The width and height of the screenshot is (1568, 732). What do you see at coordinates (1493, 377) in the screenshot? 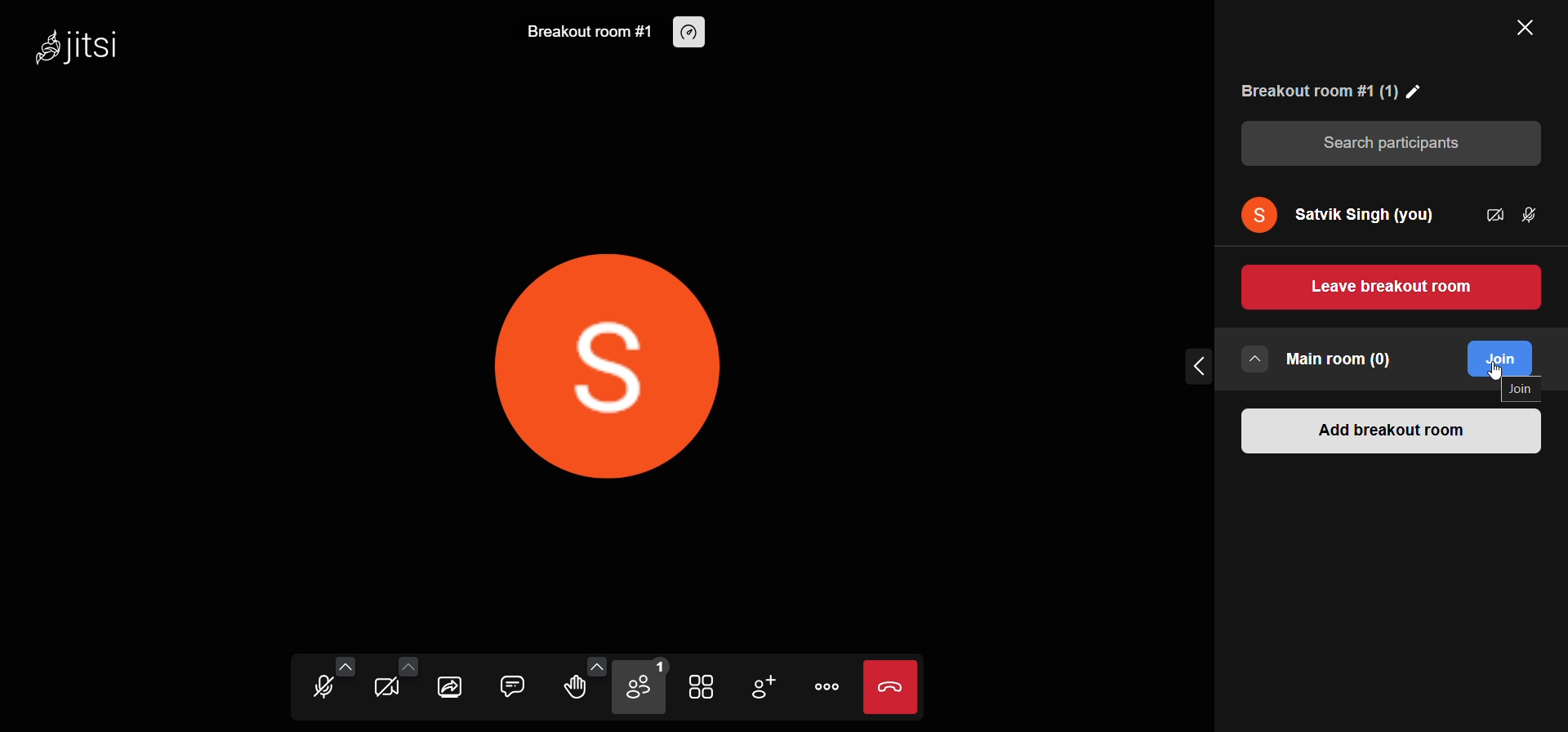
I see `cursor` at bounding box center [1493, 377].